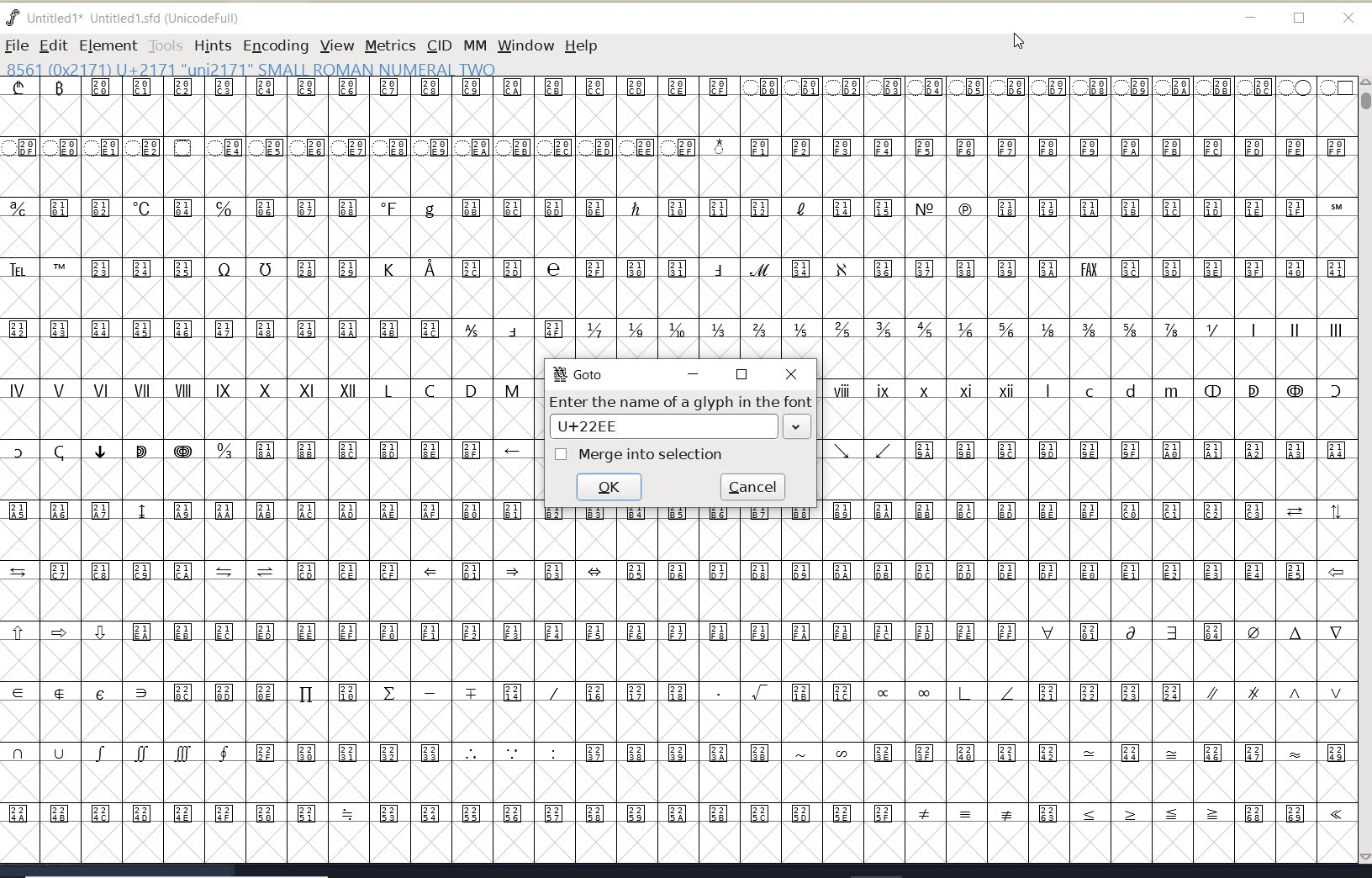 Image resolution: width=1372 pixels, height=878 pixels. I want to click on 8561 (0X2171) U+2171 "UNI171" SMALL ROMAN NUMERAL TWO, so click(252, 68).